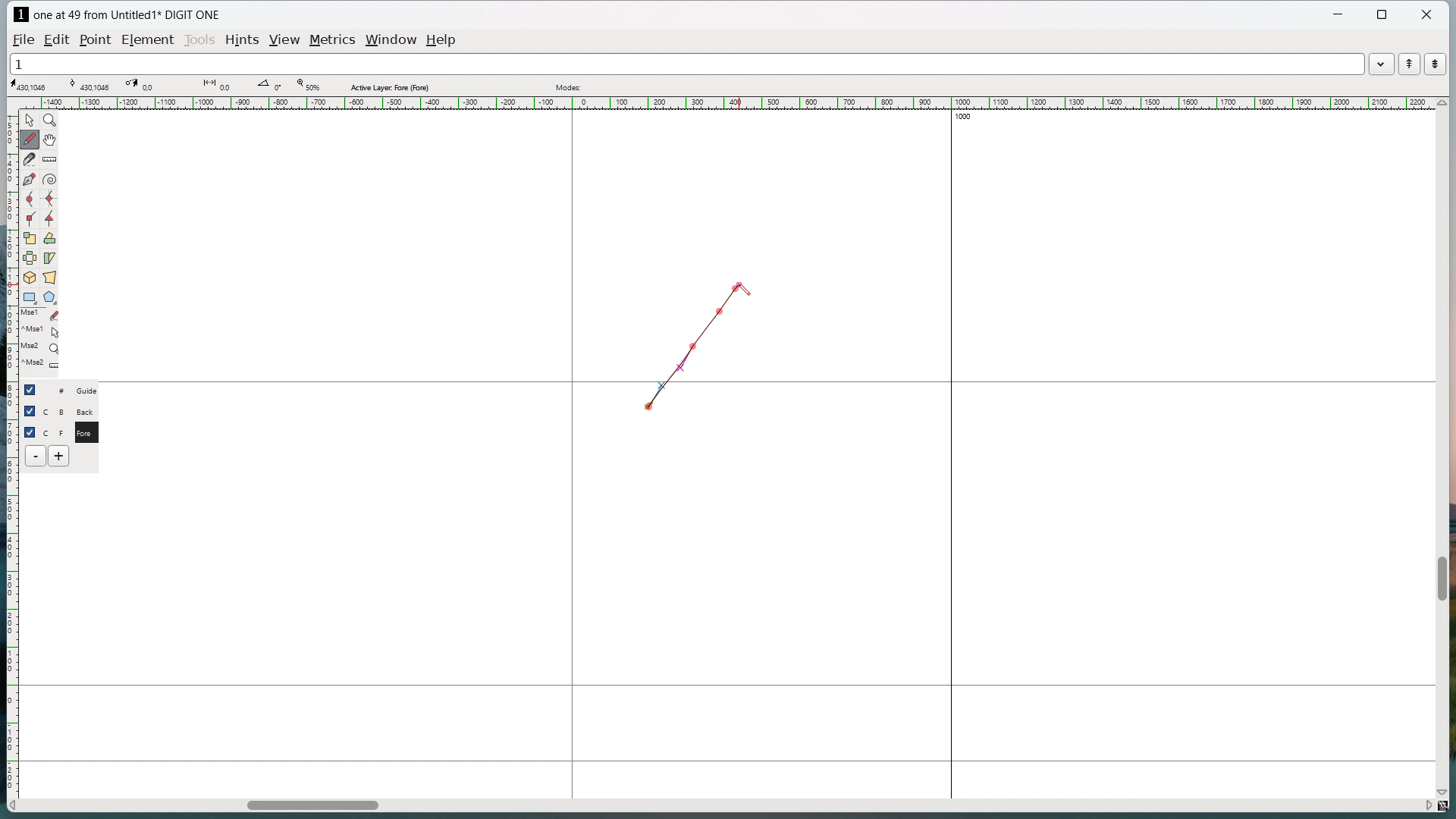 This screenshot has width=1456, height=819. I want to click on add a curve point always either vertical or horizontal, so click(49, 199).